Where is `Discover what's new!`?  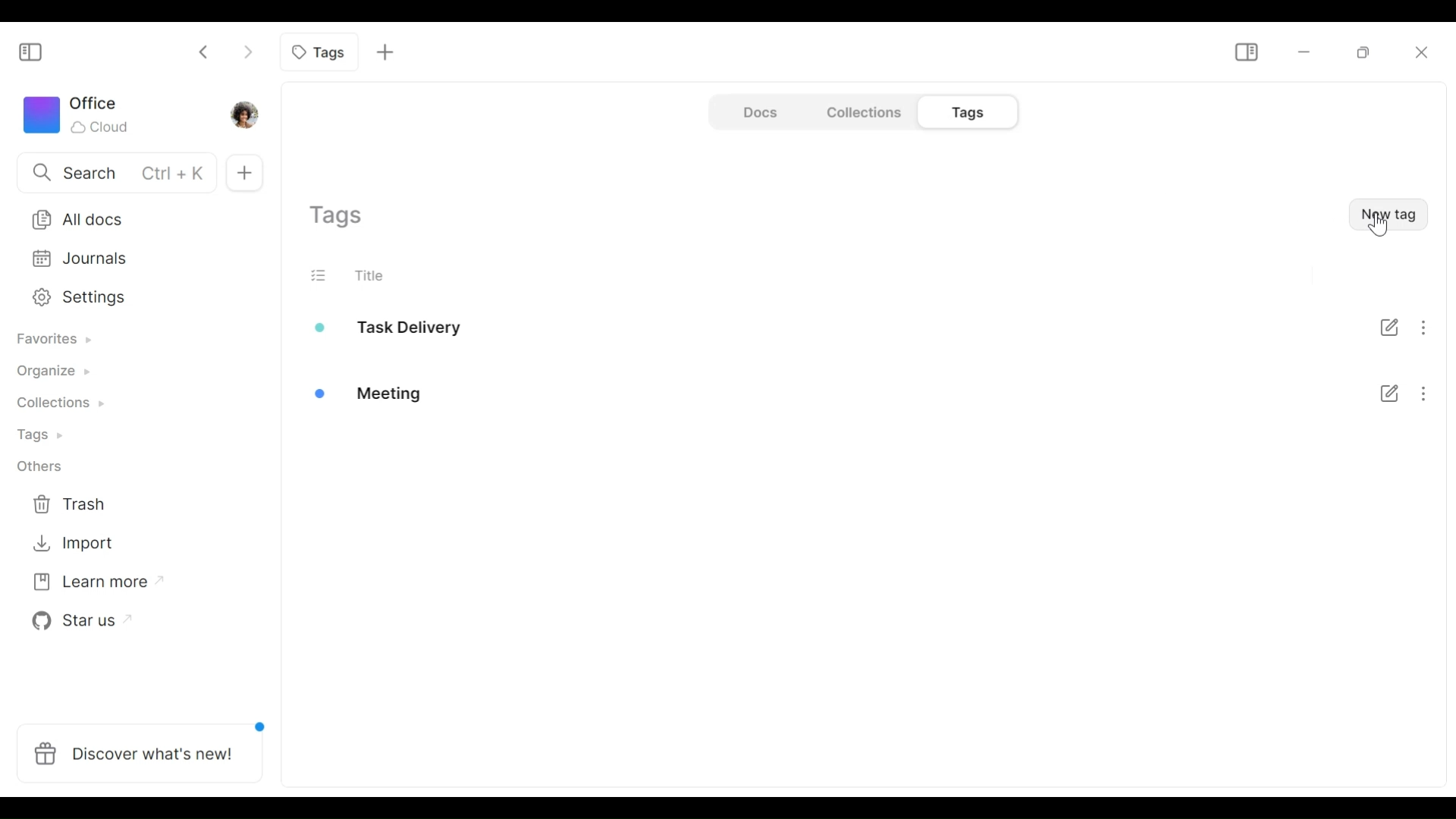
Discover what's new! is located at coordinates (138, 757).